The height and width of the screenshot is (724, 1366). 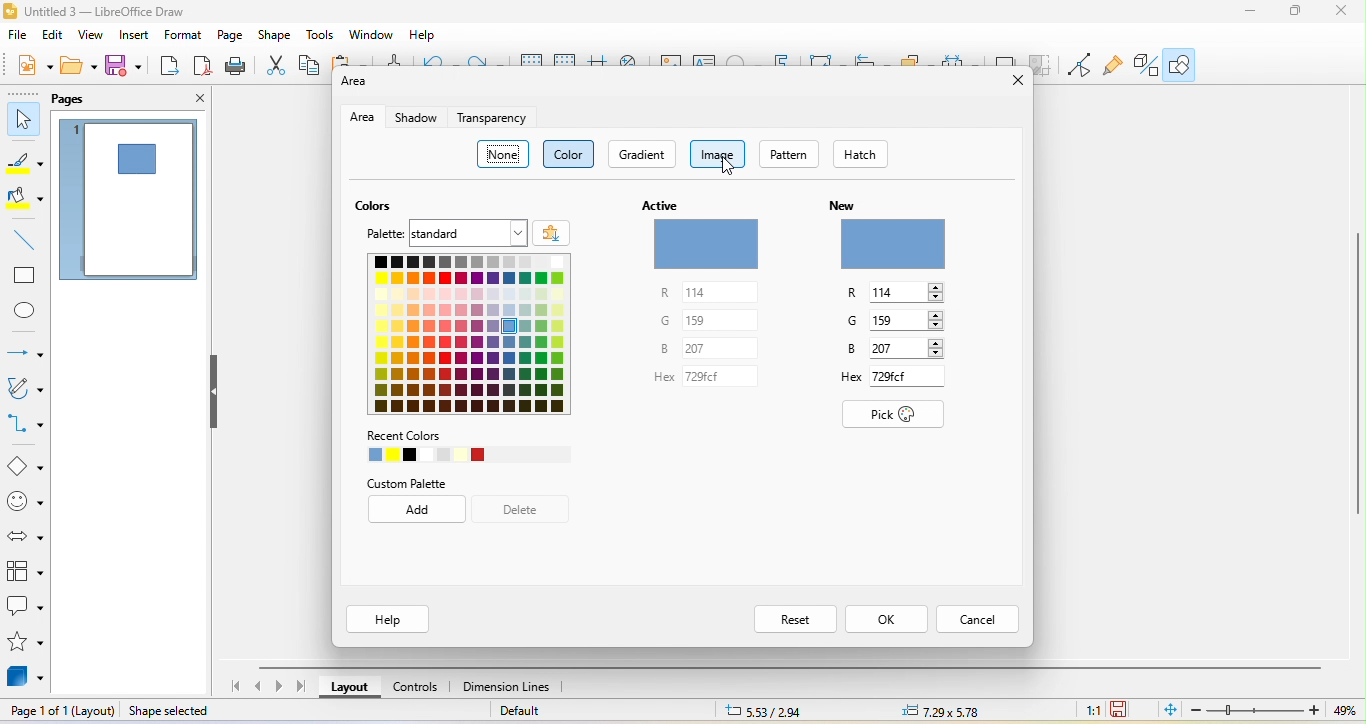 What do you see at coordinates (311, 69) in the screenshot?
I see `copy` at bounding box center [311, 69].